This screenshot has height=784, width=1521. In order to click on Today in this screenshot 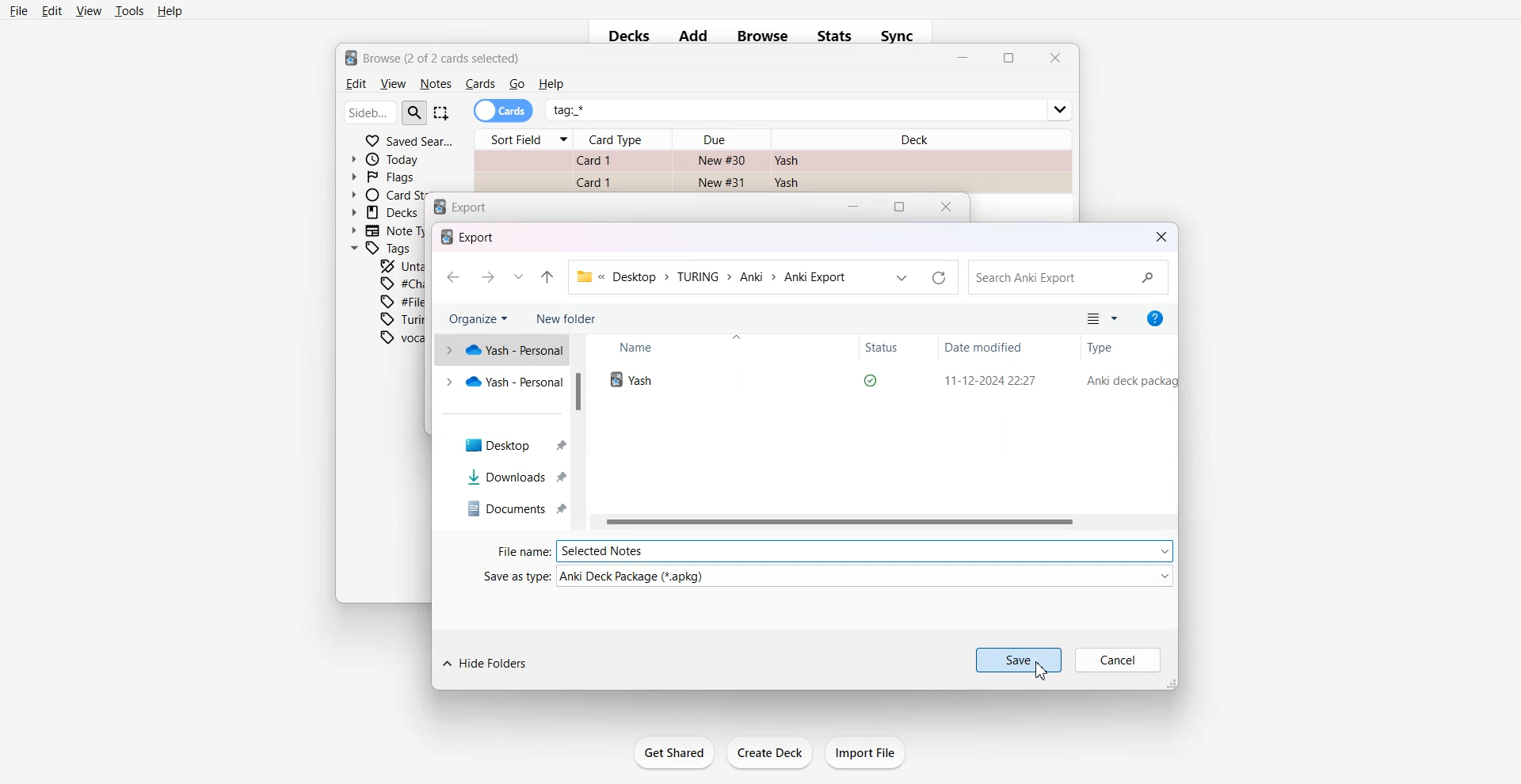, I will do `click(389, 159)`.